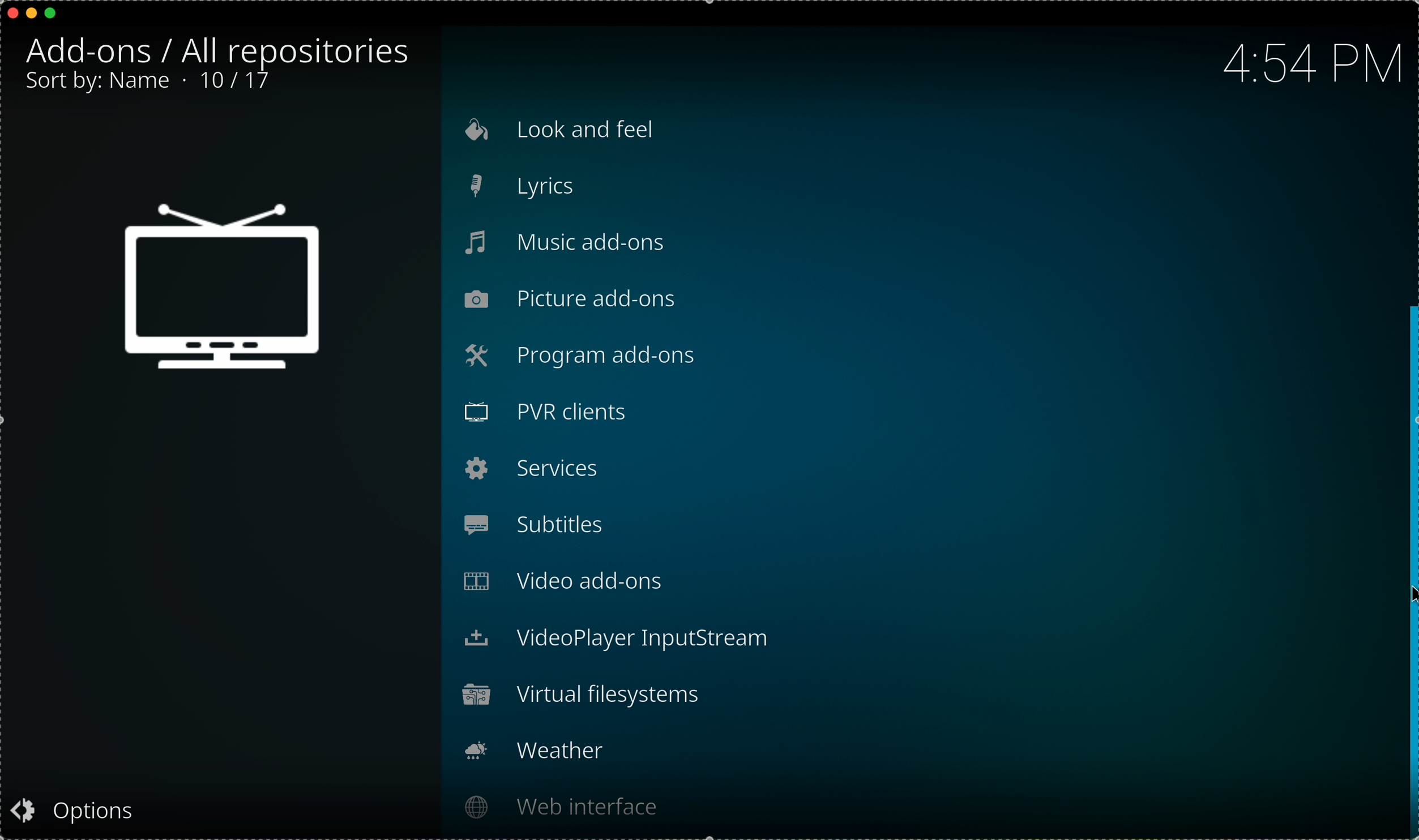 This screenshot has width=1419, height=840. Describe the element at coordinates (238, 85) in the screenshot. I see `10/17` at that location.